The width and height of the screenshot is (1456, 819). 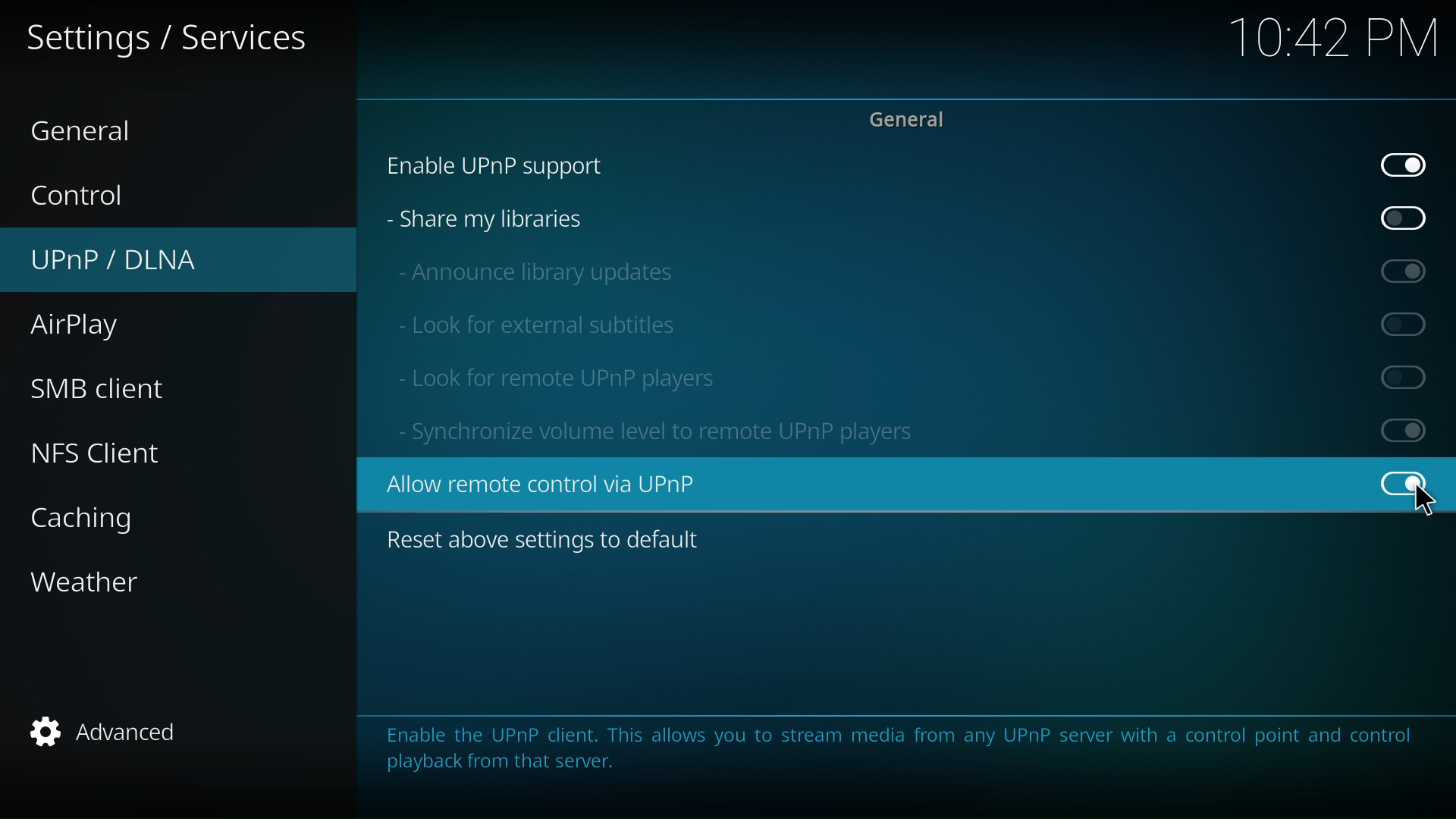 I want to click on look for external subtitles, so click(x=912, y=326).